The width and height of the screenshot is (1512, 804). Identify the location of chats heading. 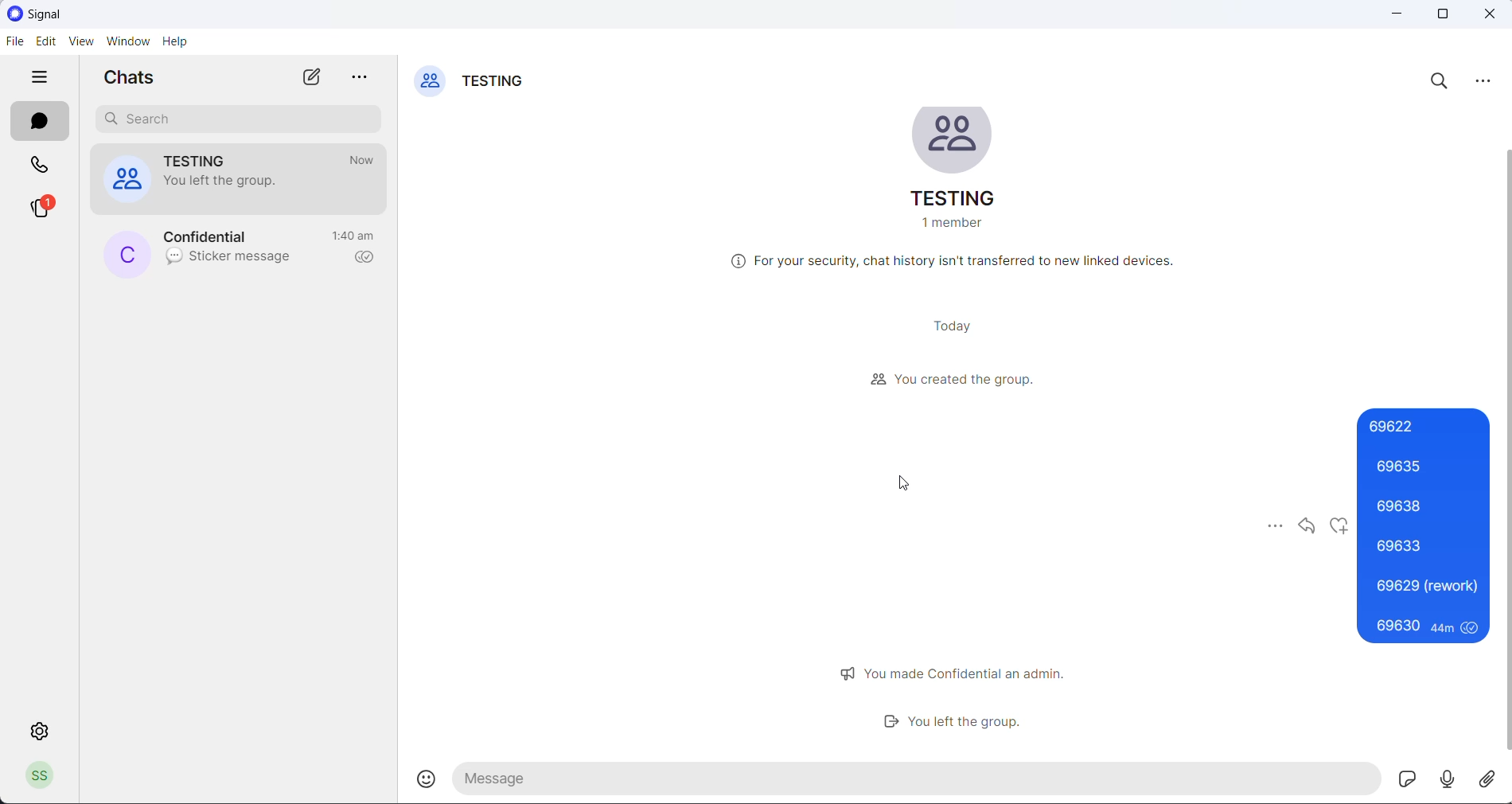
(134, 80).